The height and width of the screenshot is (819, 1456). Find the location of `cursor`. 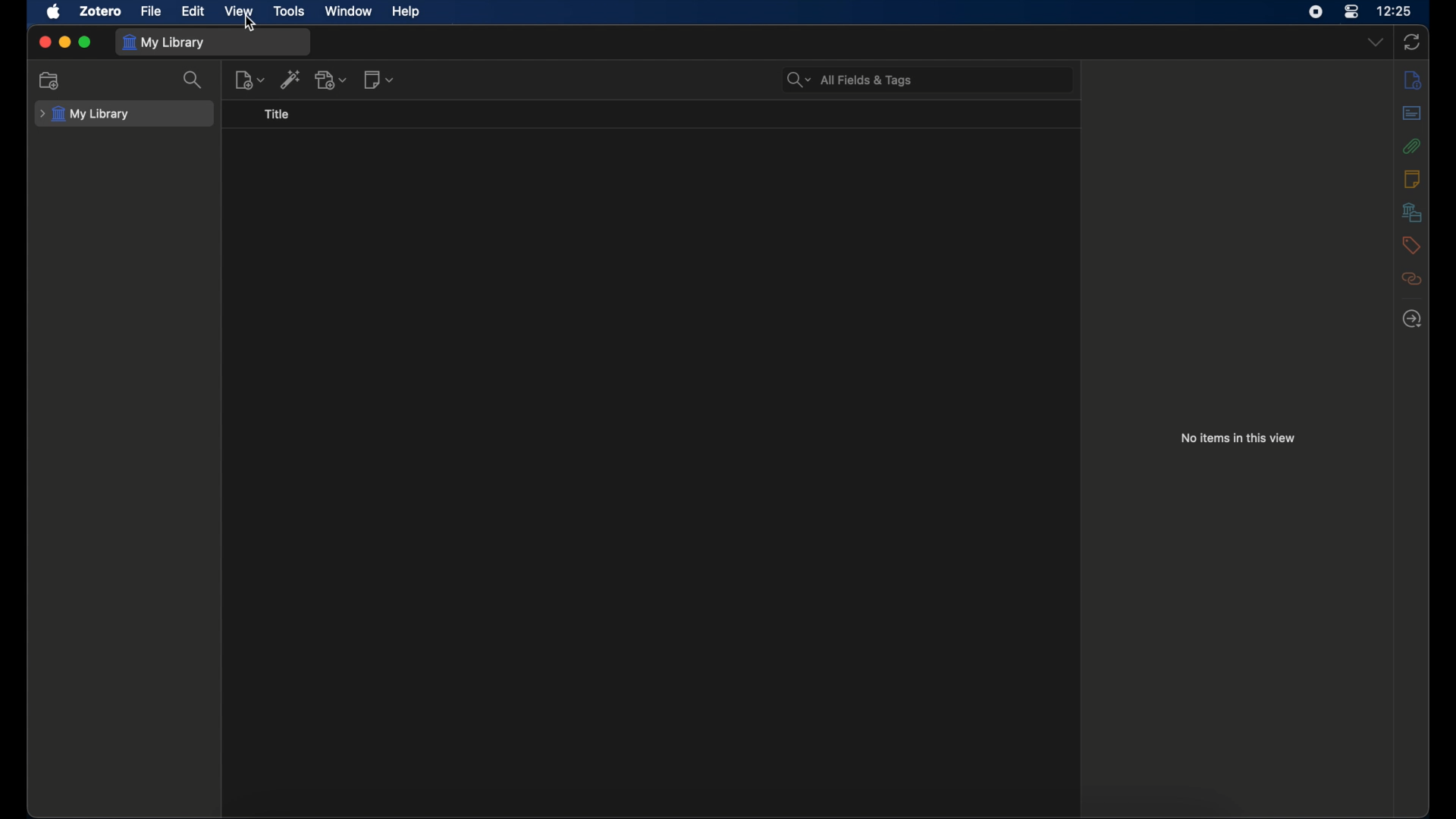

cursor is located at coordinates (250, 25).